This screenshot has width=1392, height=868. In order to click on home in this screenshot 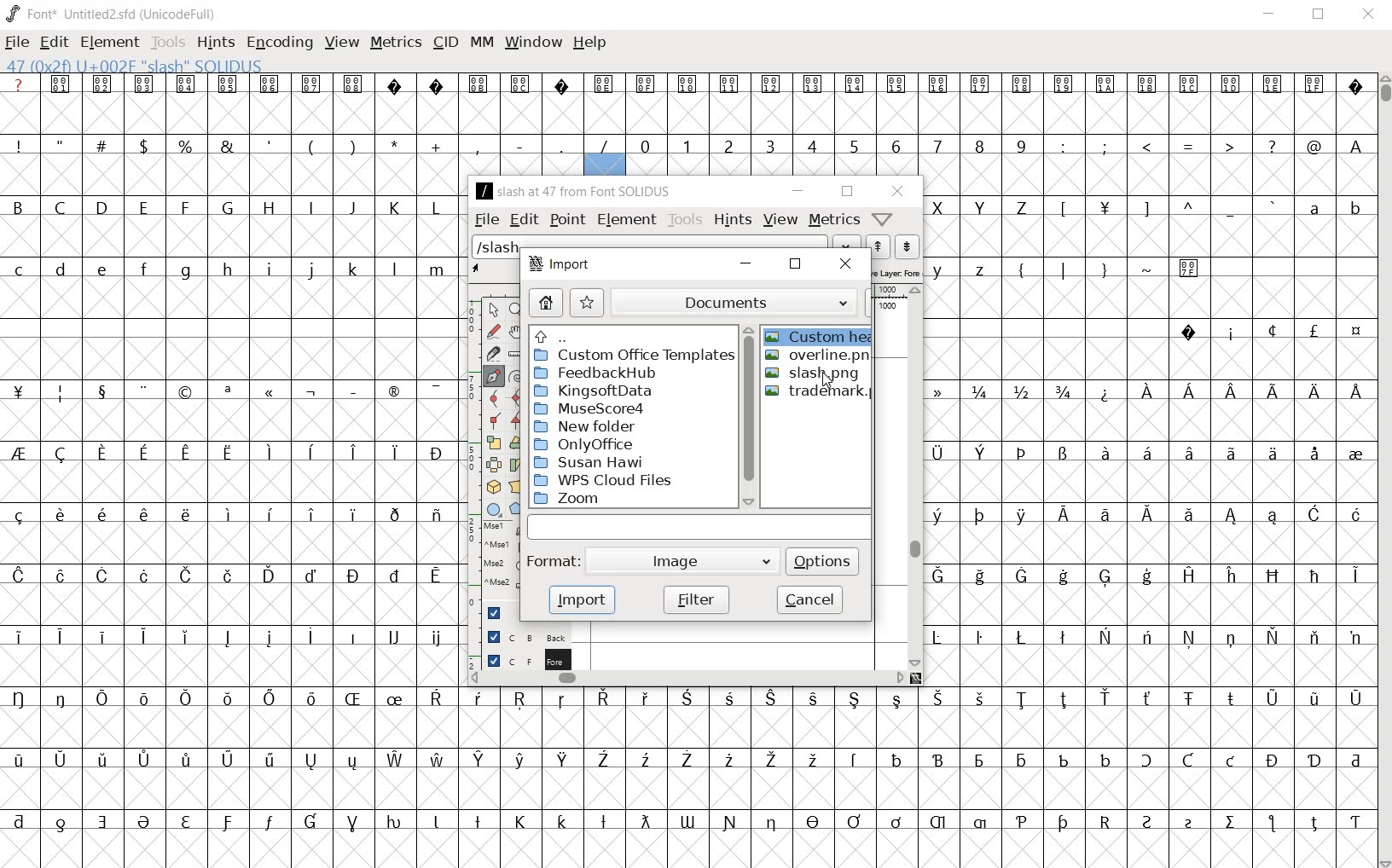, I will do `click(544, 301)`.